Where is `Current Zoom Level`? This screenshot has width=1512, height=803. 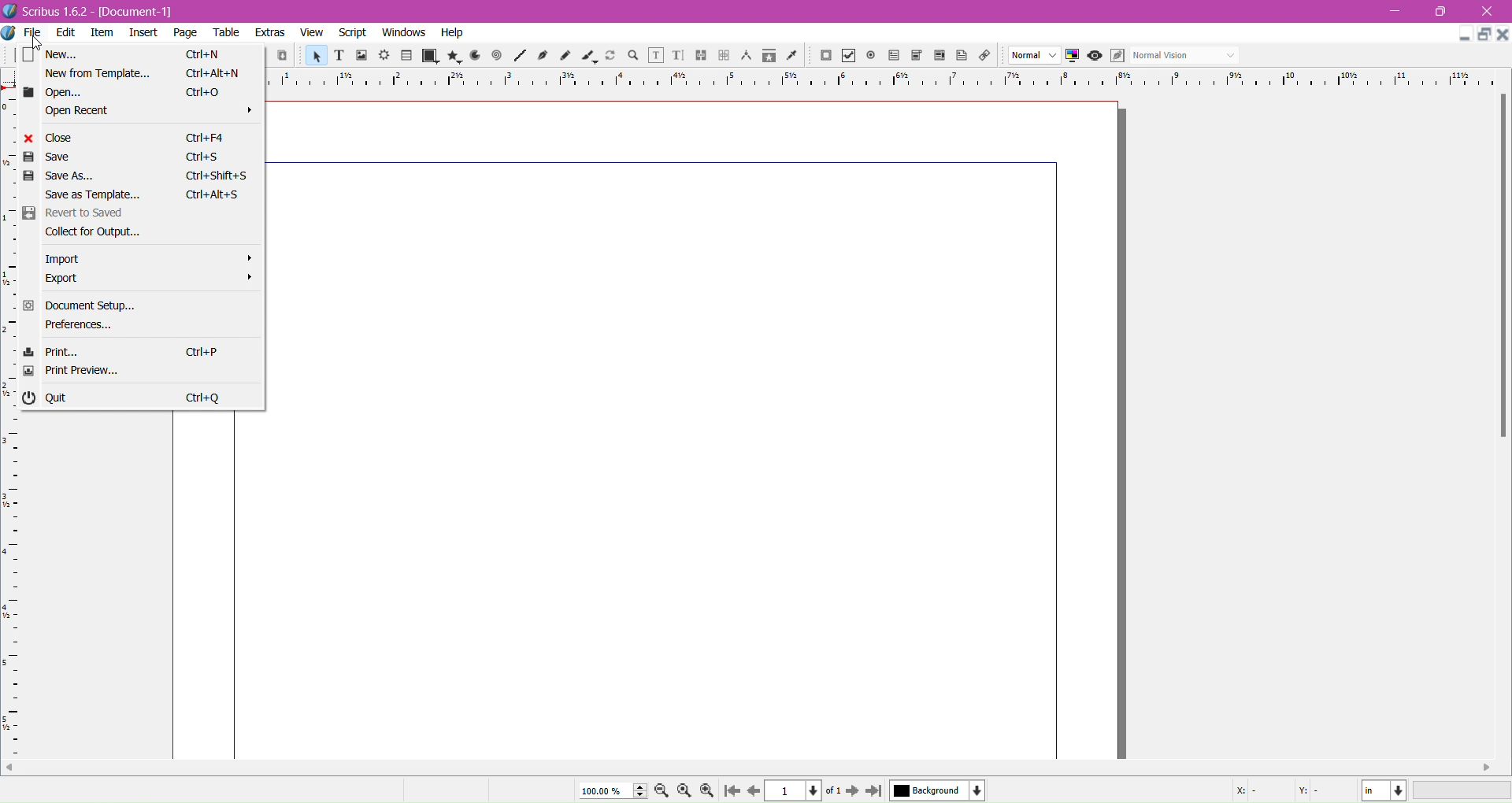
Current Zoom Level is located at coordinates (612, 790).